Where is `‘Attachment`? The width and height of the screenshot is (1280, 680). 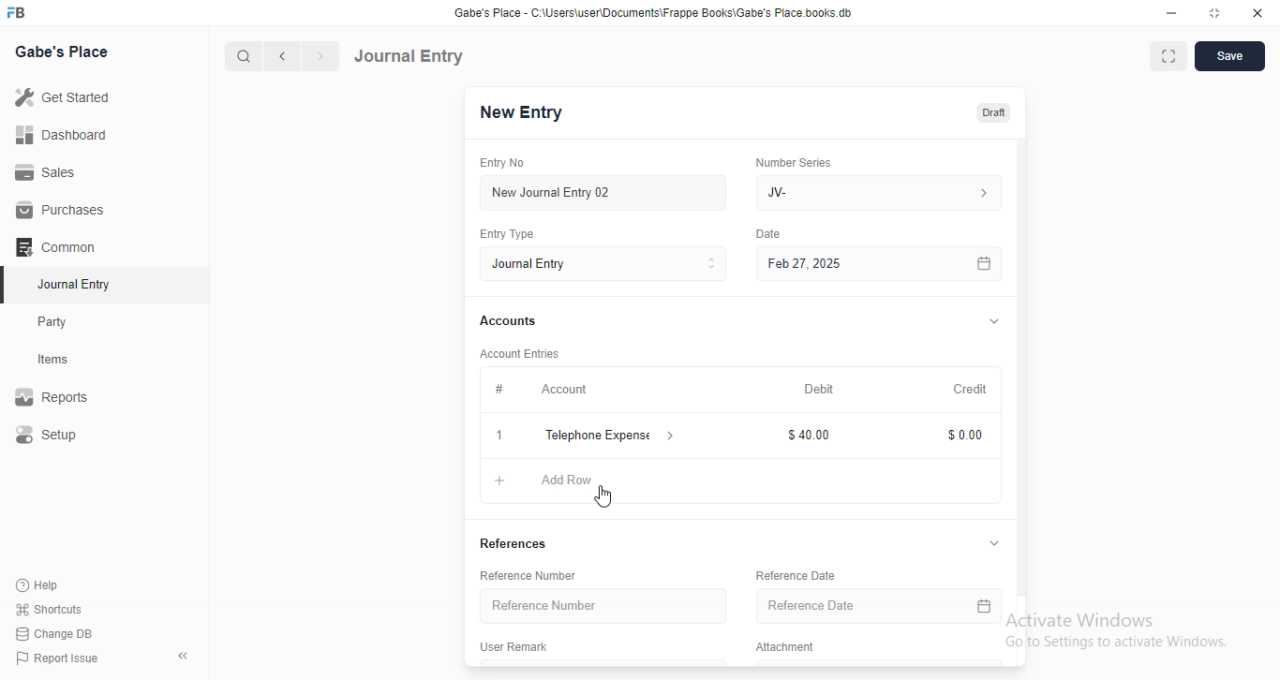
‘Attachment is located at coordinates (783, 646).